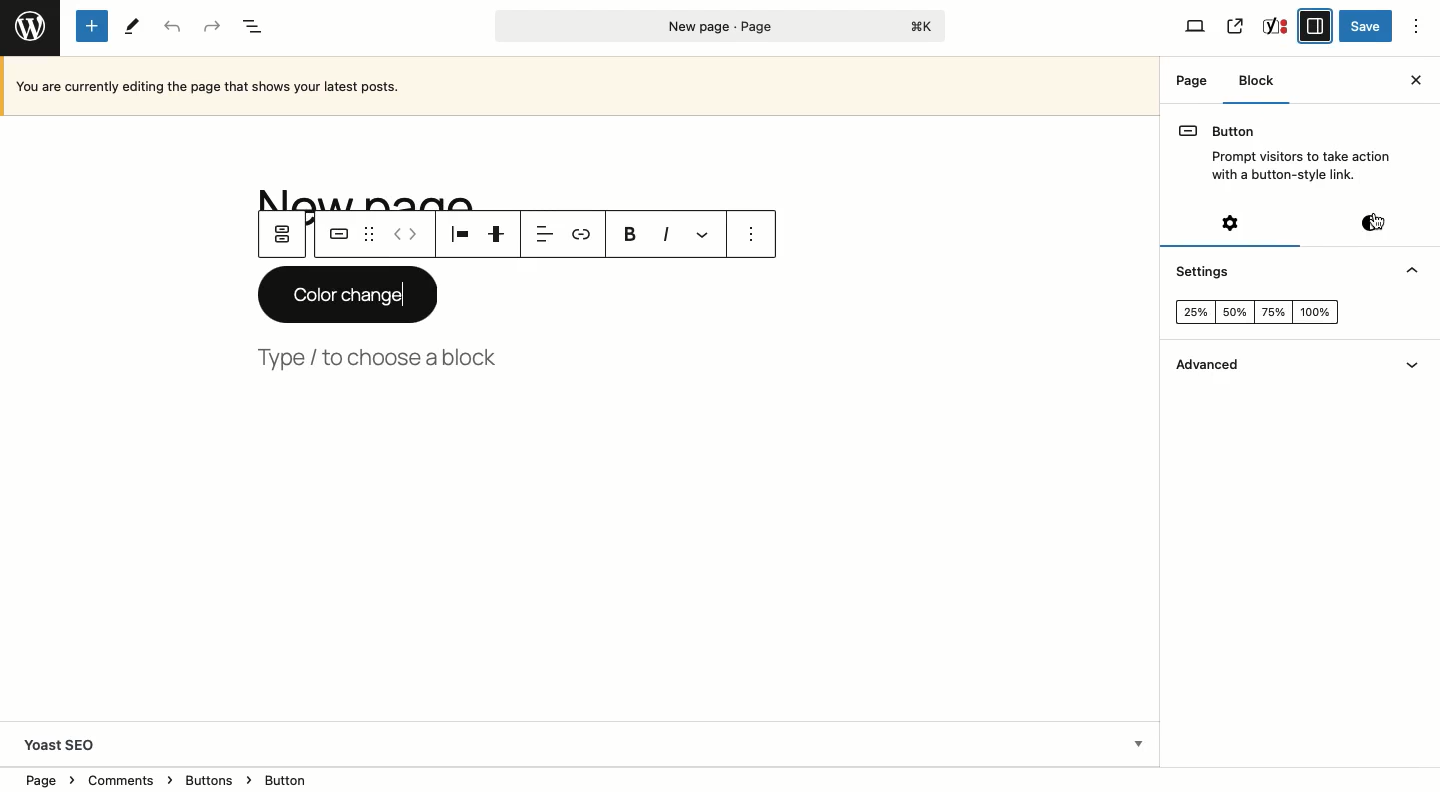 The image size is (1440, 792). Describe the element at coordinates (580, 778) in the screenshot. I see `Location` at that location.